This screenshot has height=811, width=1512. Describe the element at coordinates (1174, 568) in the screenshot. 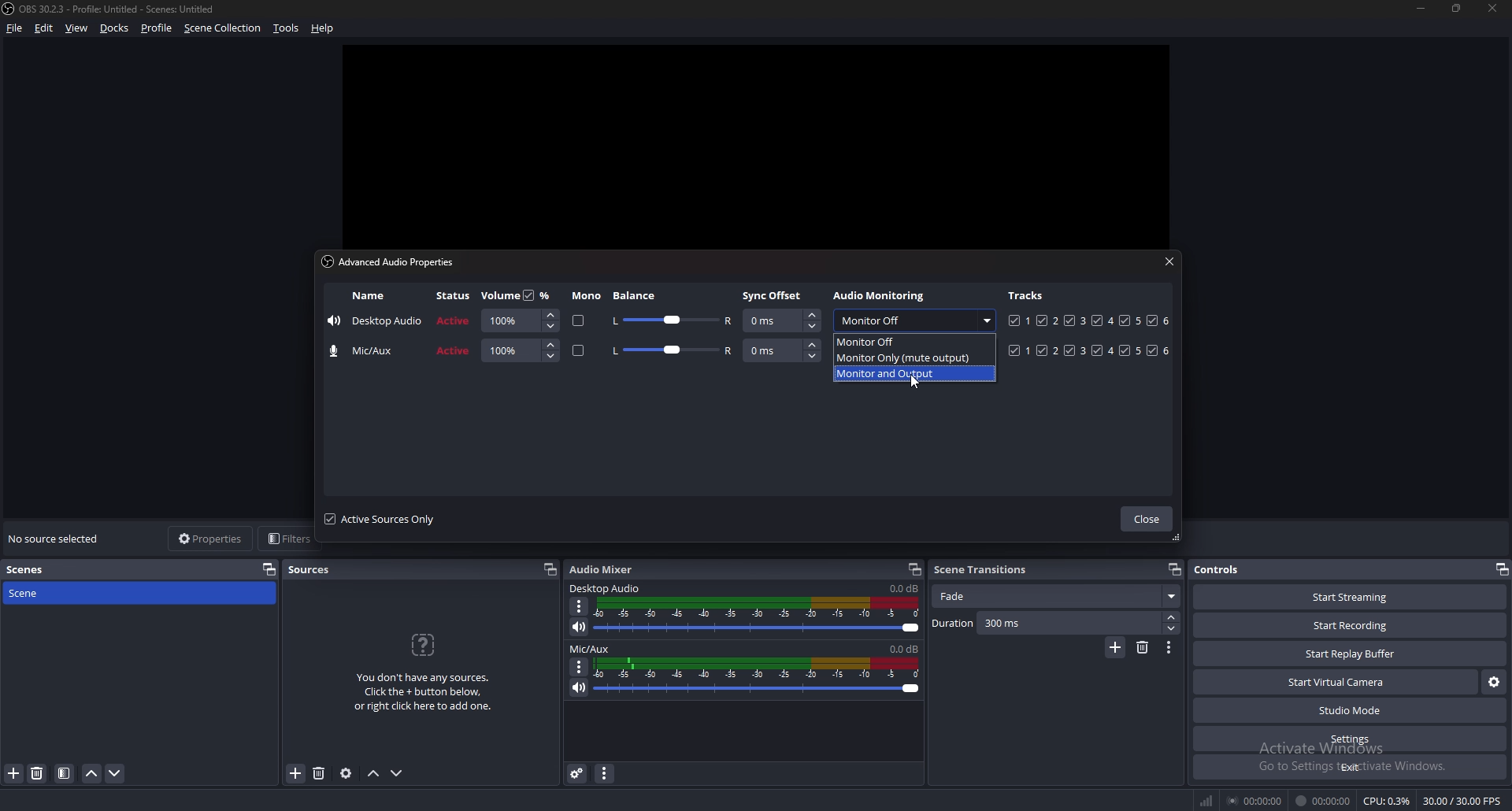

I see `popout` at that location.